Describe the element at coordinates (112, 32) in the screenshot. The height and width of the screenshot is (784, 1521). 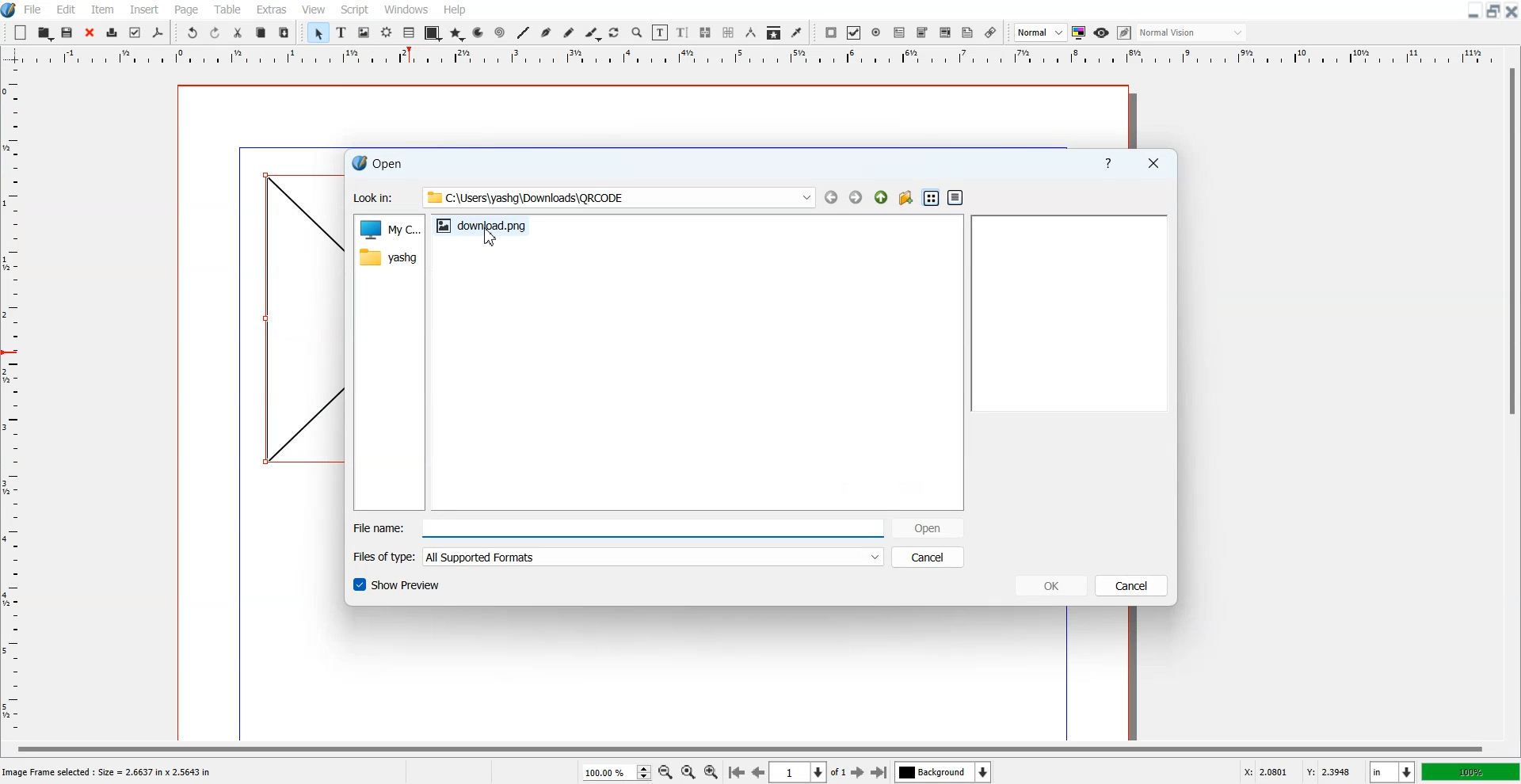
I see `Print` at that location.